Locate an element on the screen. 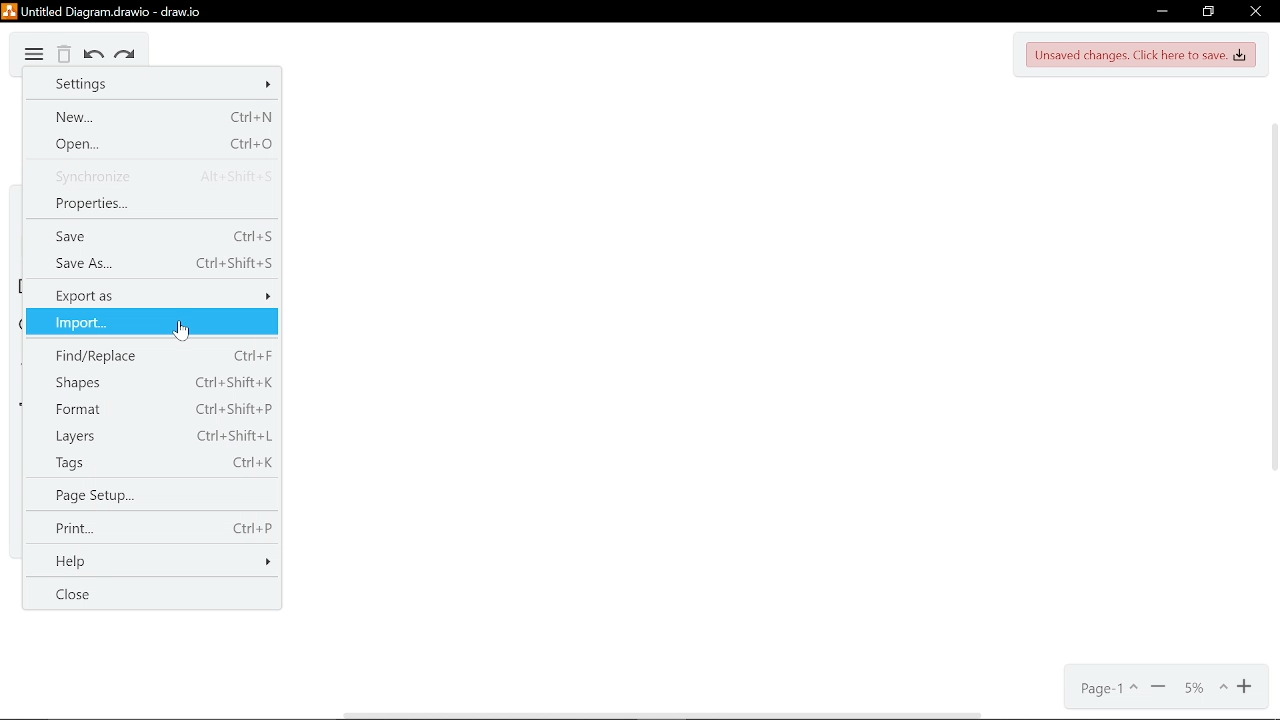 Image resolution: width=1280 pixels, height=720 pixels. Import is located at coordinates (152, 322).